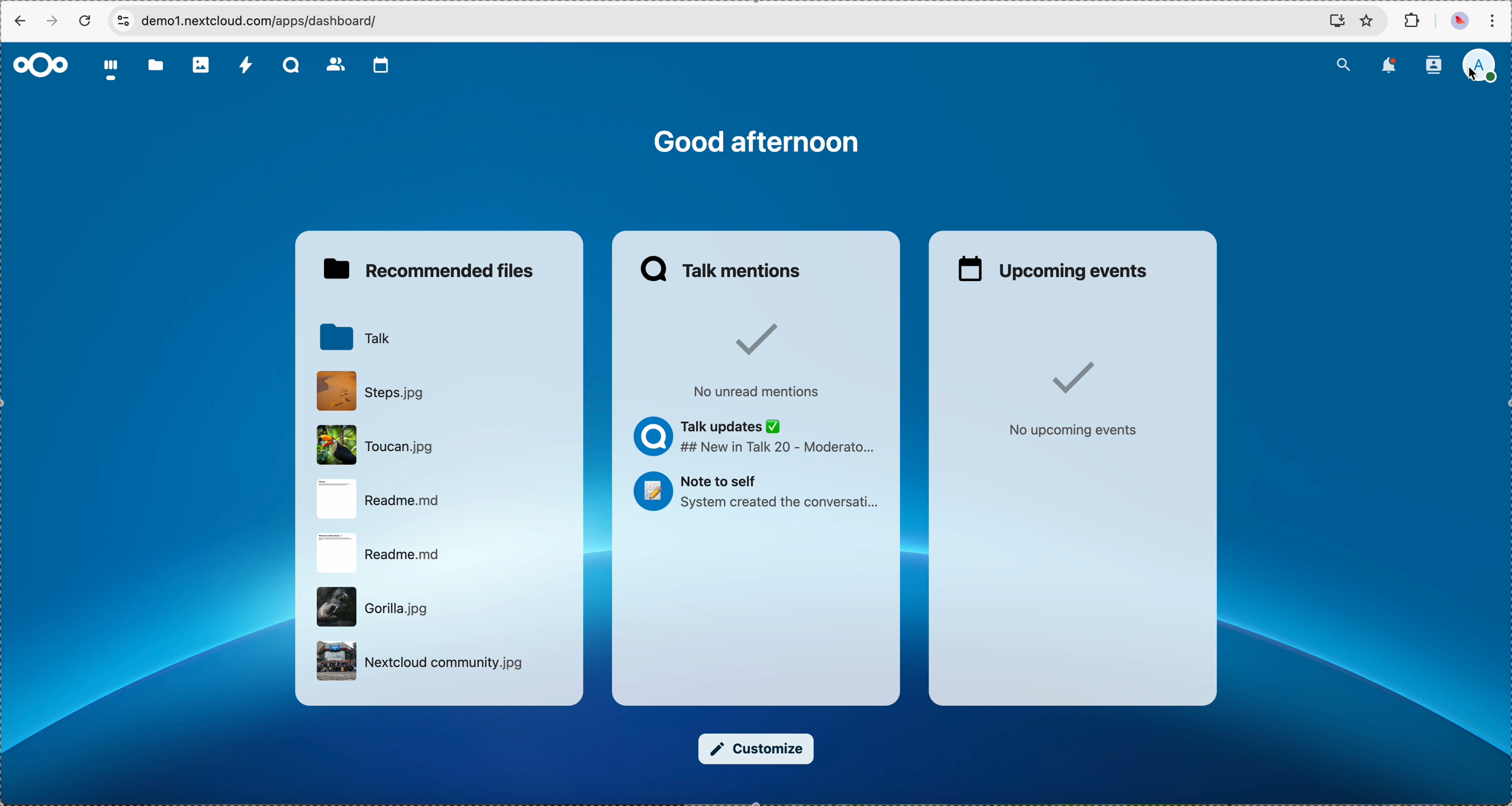 The image size is (1512, 806). Describe the element at coordinates (757, 494) in the screenshot. I see `Note to self` at that location.